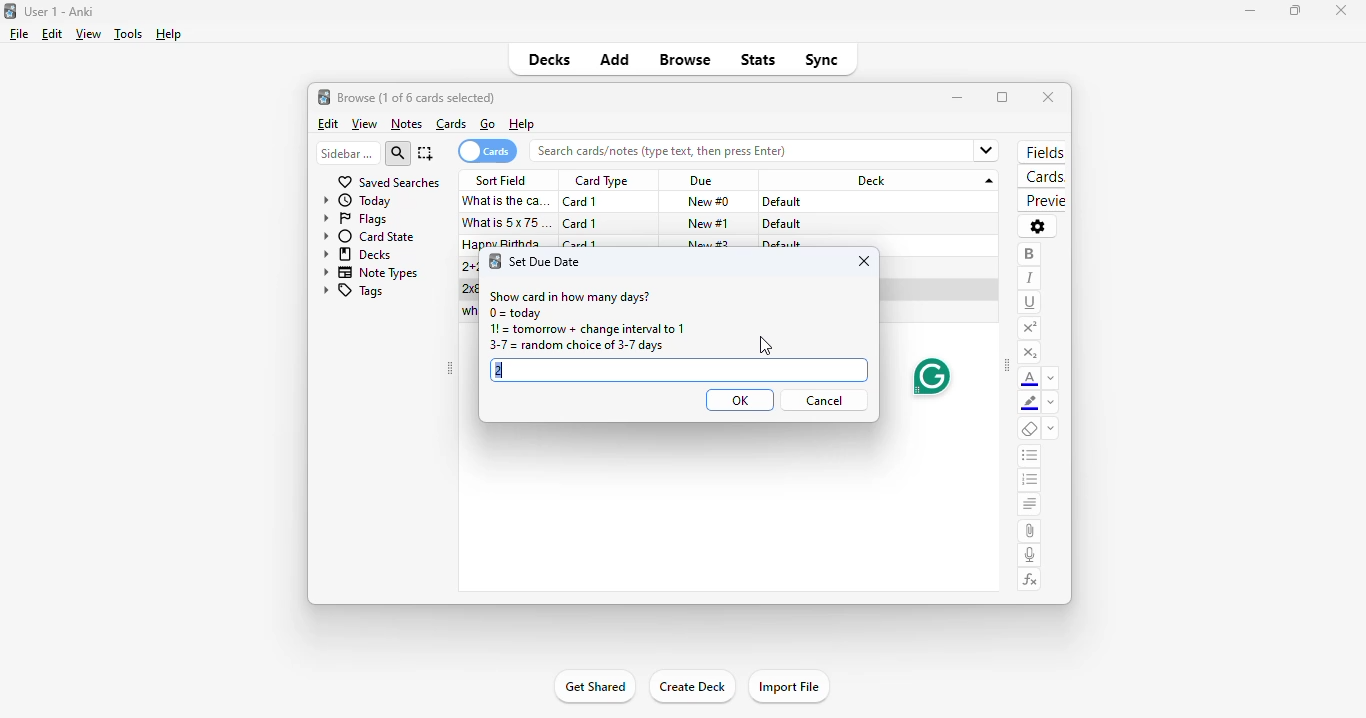 The height and width of the screenshot is (718, 1366). I want to click on create deck, so click(692, 687).